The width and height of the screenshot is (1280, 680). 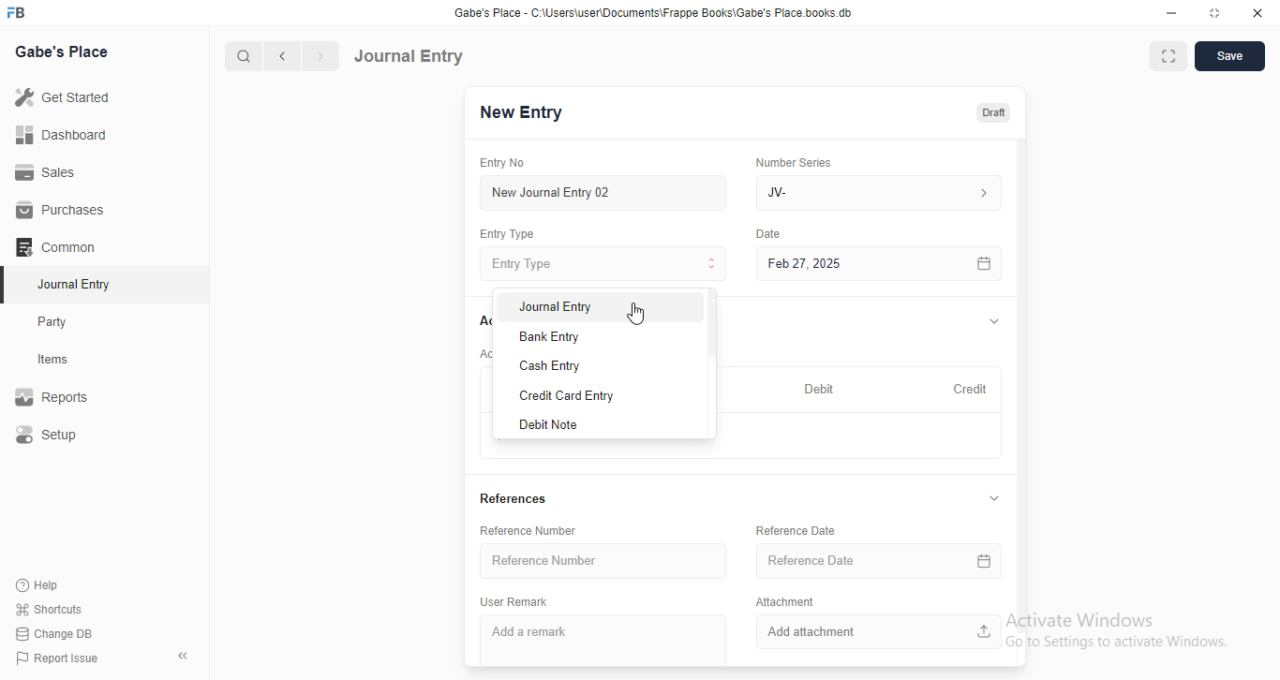 I want to click on New entry, so click(x=527, y=114).